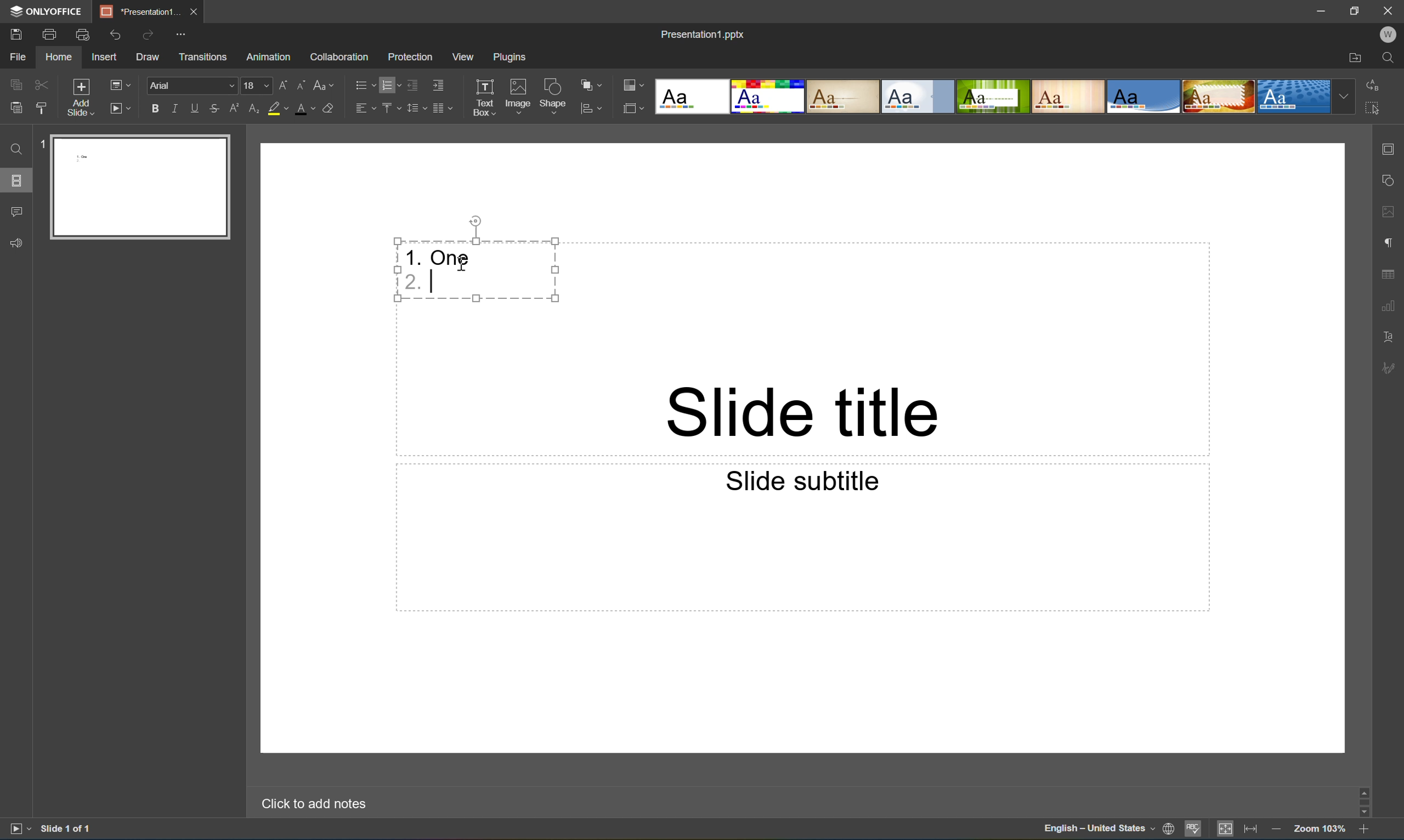 The image size is (1404, 840). Describe the element at coordinates (411, 282) in the screenshot. I see `2.` at that location.